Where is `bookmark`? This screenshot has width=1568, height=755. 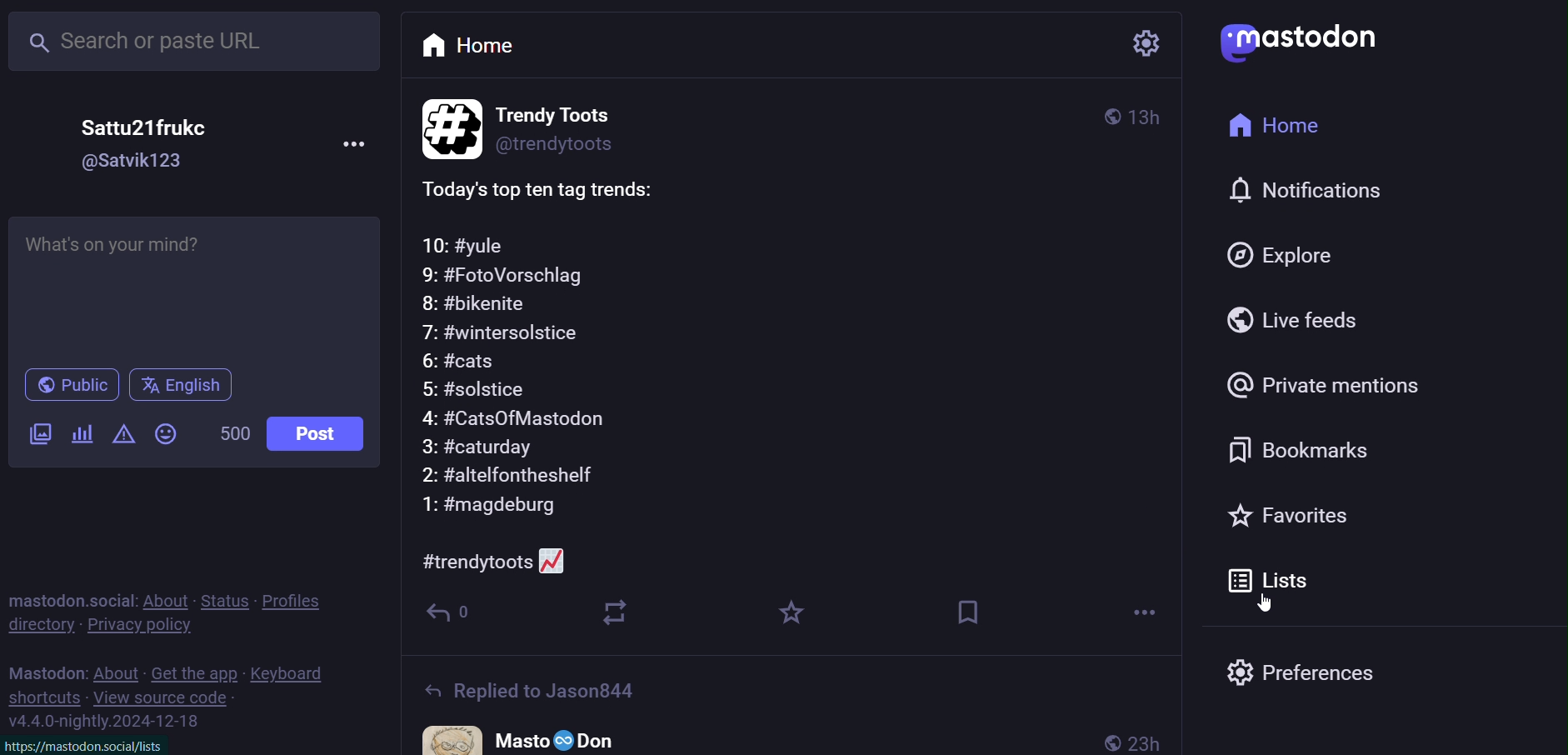 bookmark is located at coordinates (963, 609).